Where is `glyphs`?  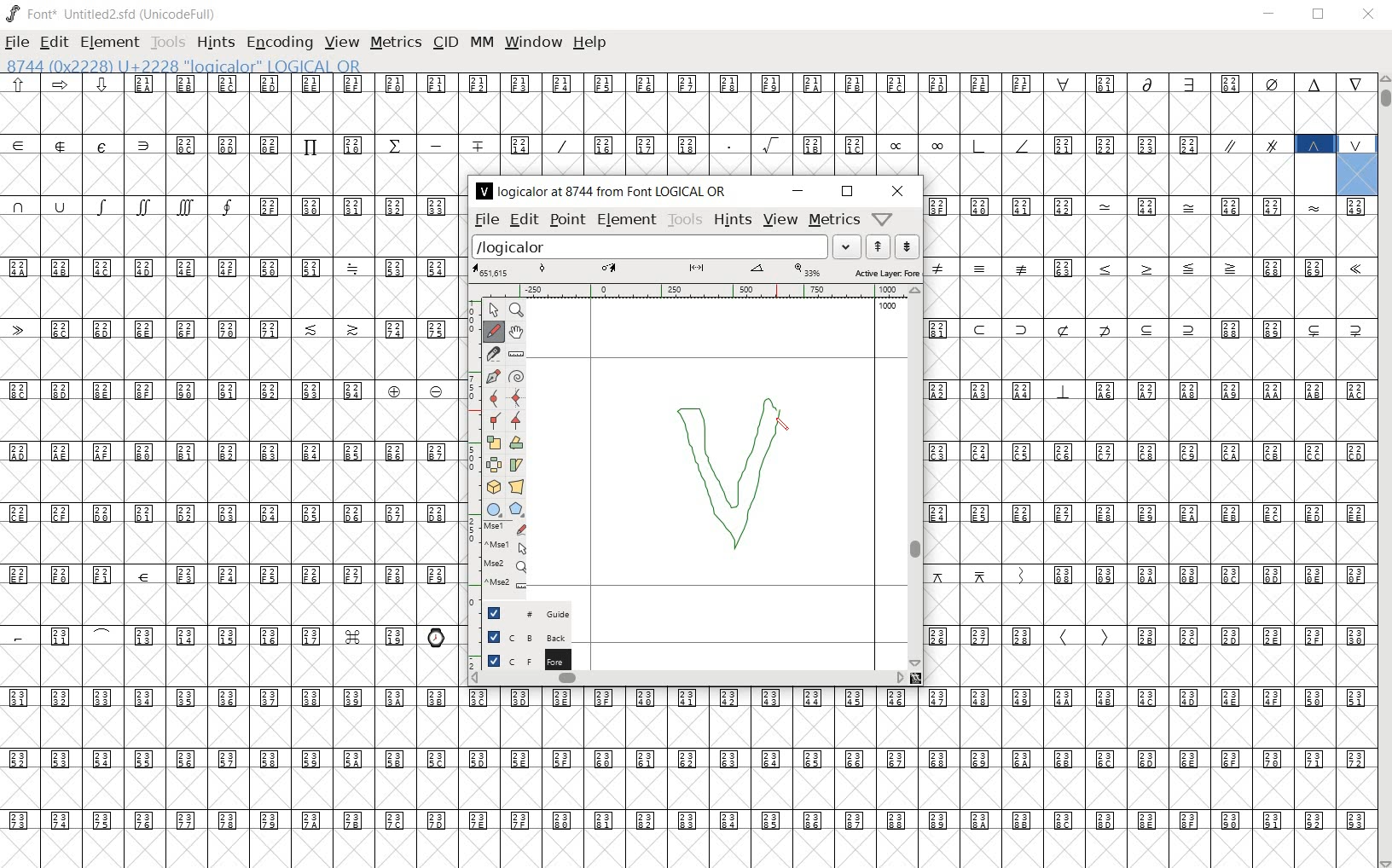
glyphs is located at coordinates (229, 467).